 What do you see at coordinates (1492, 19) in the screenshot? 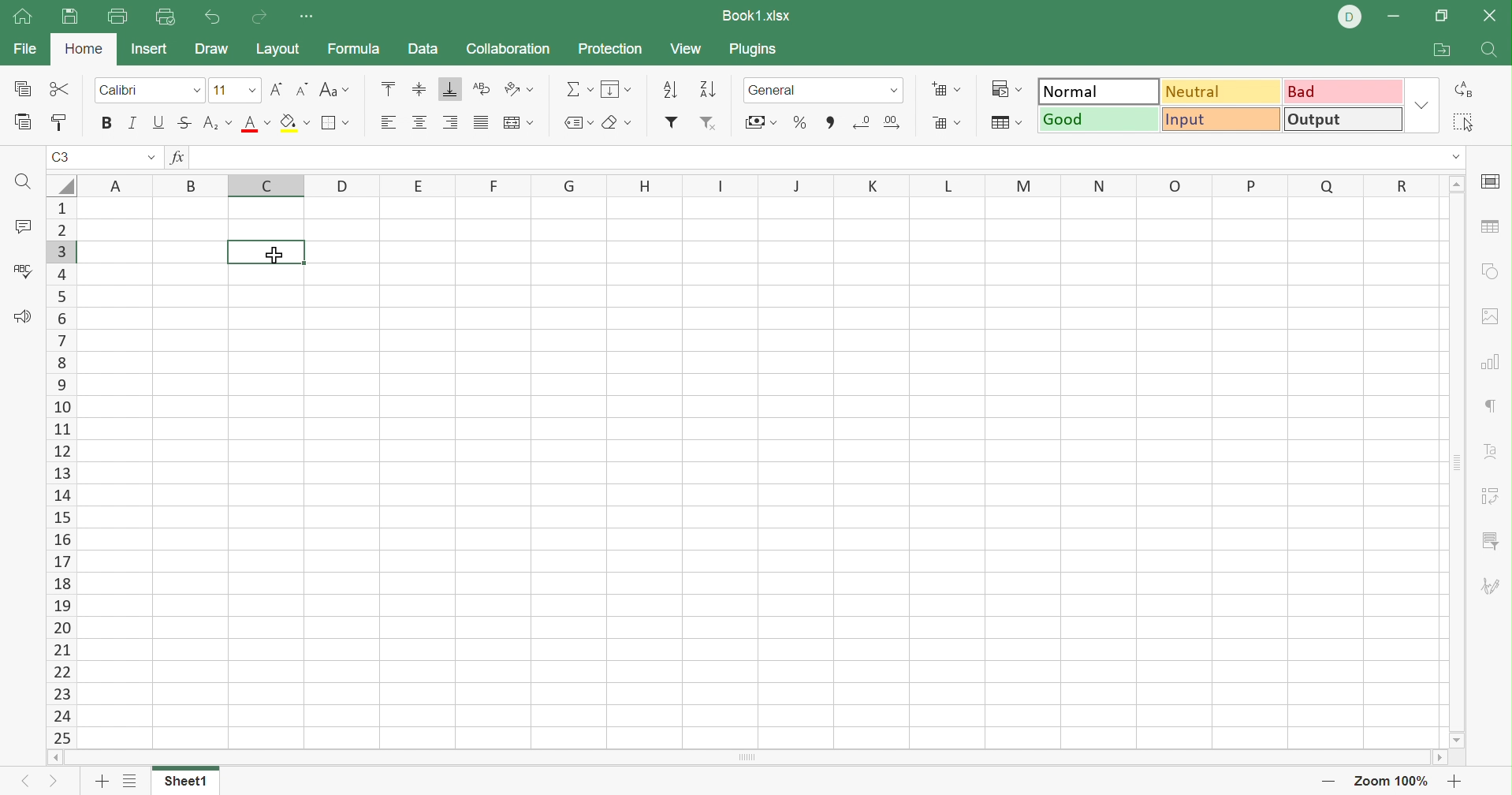
I see `Close` at bounding box center [1492, 19].